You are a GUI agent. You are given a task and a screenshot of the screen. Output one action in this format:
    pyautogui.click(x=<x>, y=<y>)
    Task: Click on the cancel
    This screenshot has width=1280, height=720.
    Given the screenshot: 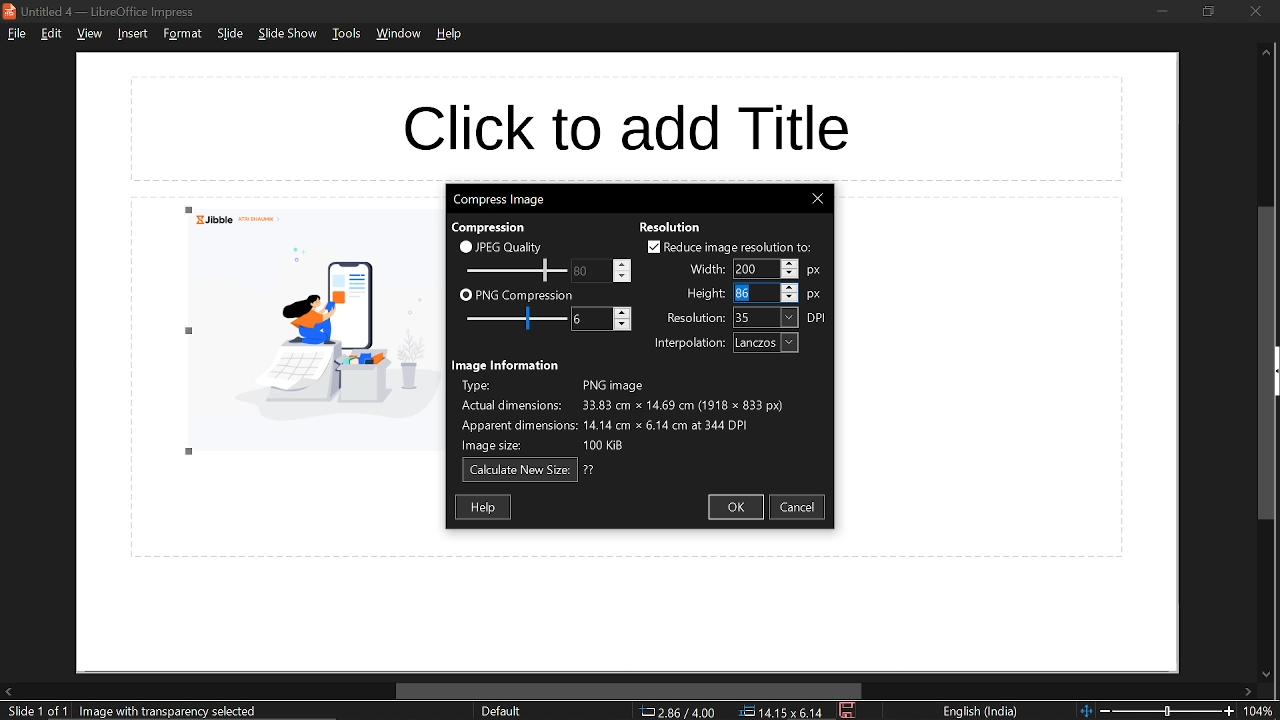 What is the action you would take?
    pyautogui.click(x=800, y=507)
    